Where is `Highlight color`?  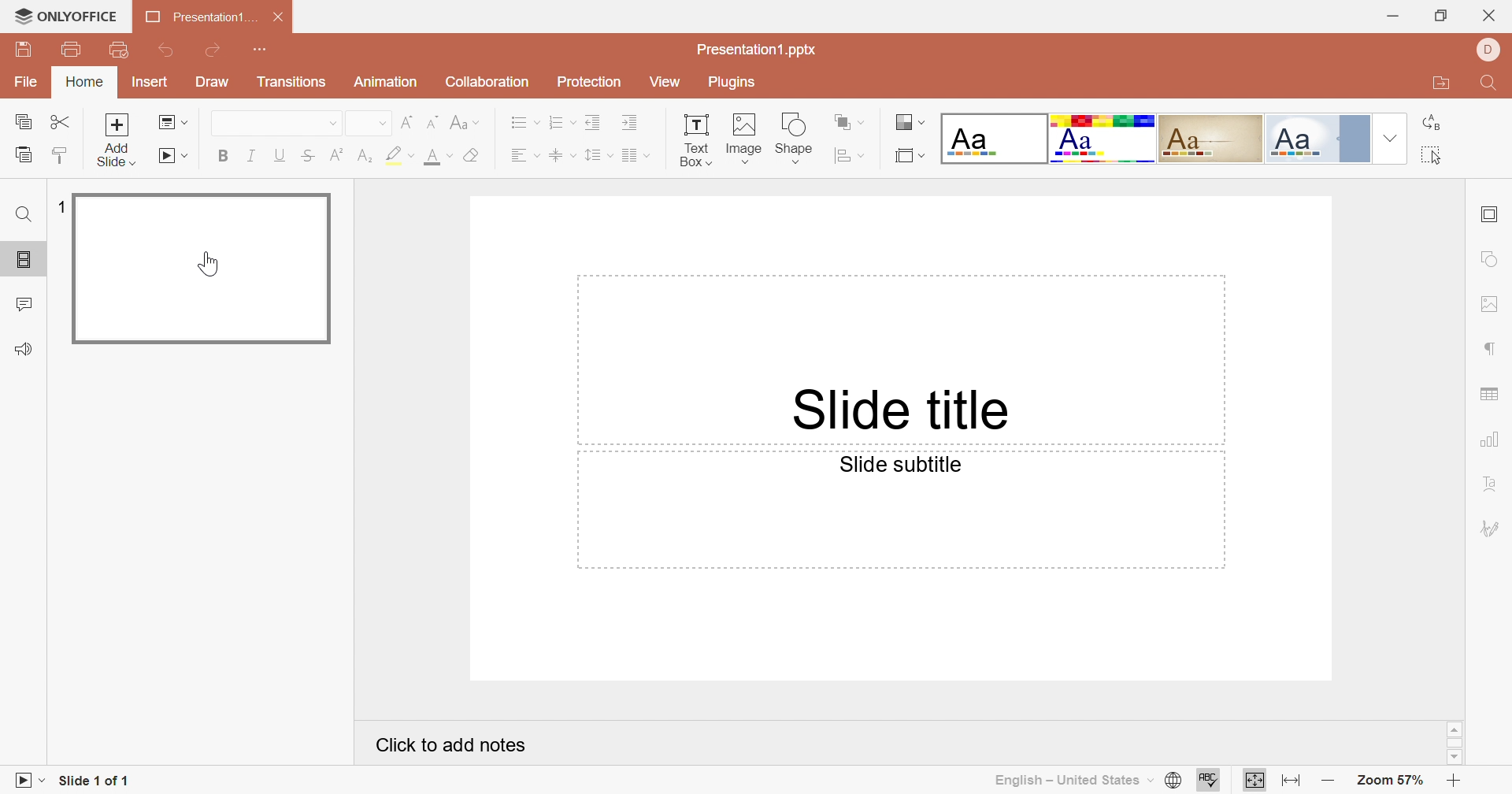
Highlight color is located at coordinates (398, 154).